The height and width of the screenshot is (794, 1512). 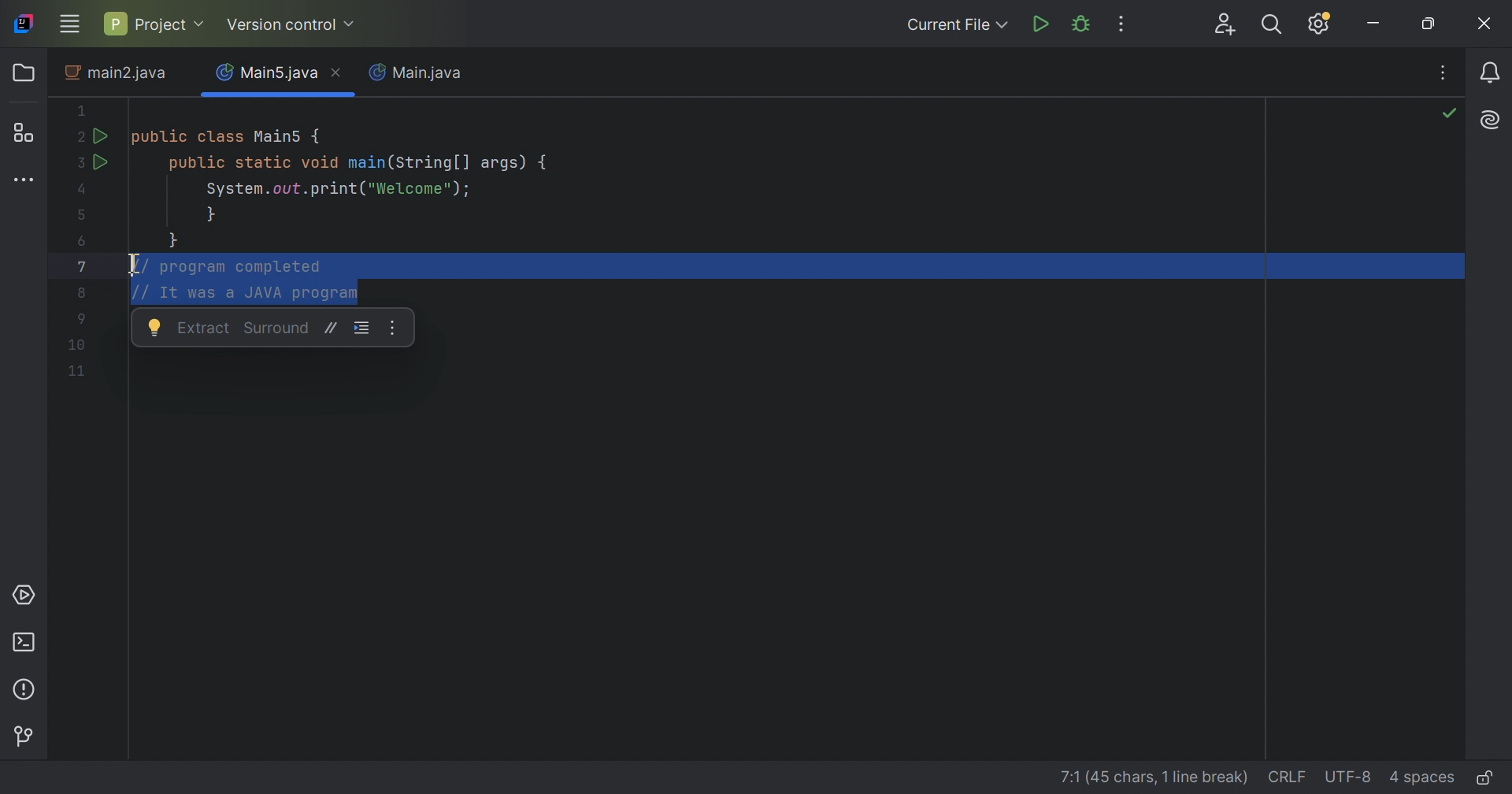 I want to click on Folder icon, so click(x=24, y=74).